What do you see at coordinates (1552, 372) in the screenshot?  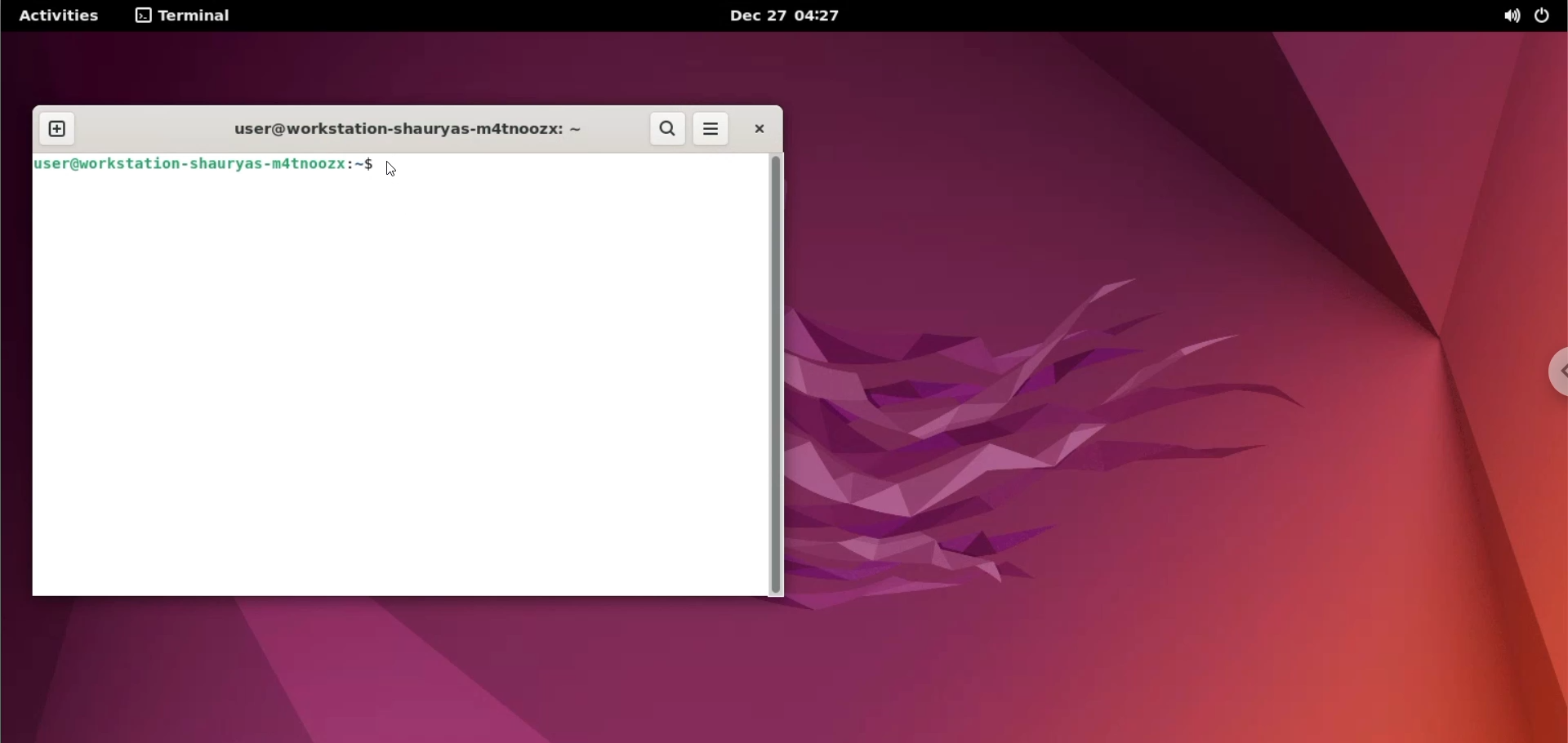 I see `chrome options` at bounding box center [1552, 372].